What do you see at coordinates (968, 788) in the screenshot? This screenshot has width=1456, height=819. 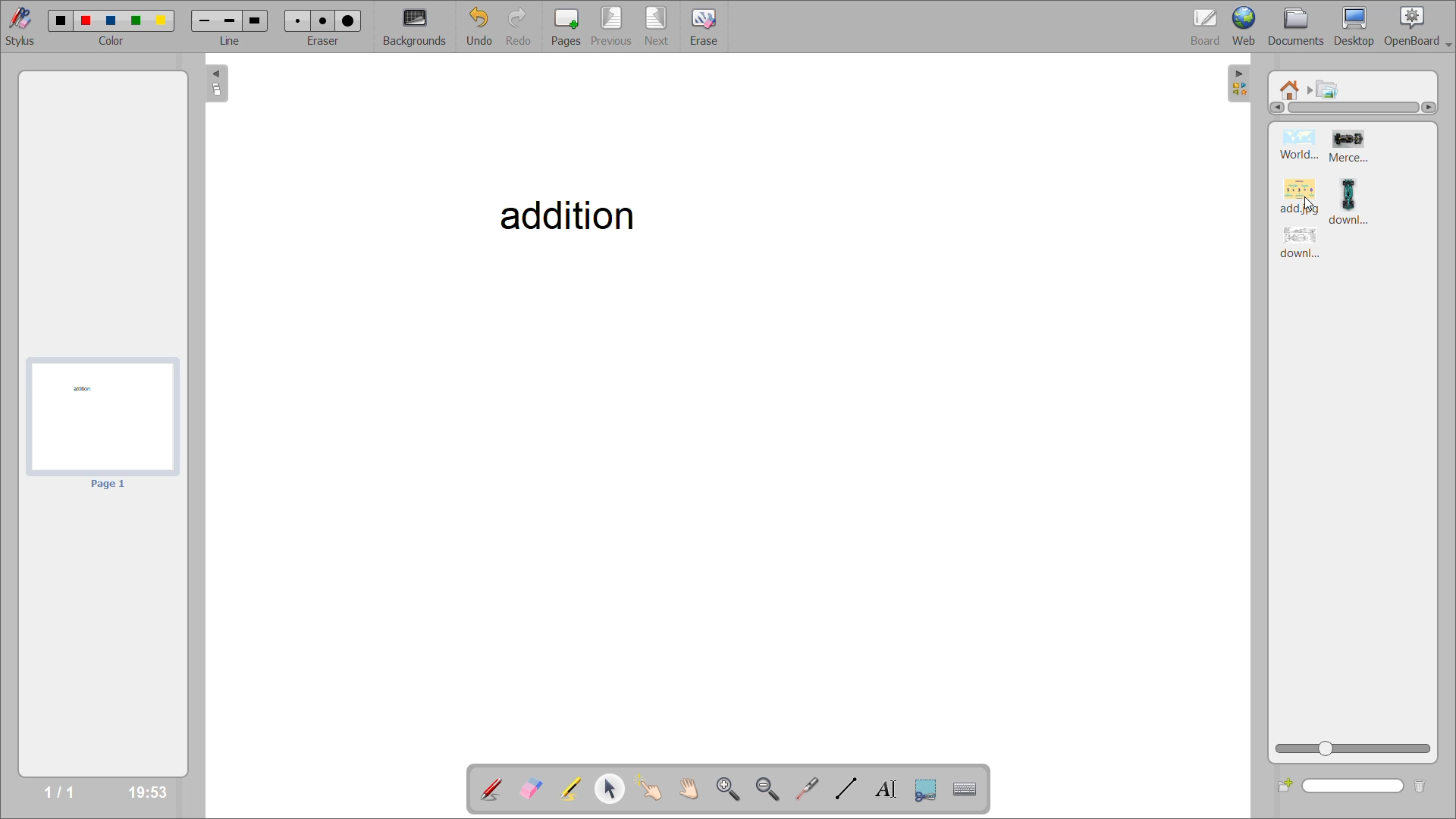 I see `display virtual keyboard` at bounding box center [968, 788].